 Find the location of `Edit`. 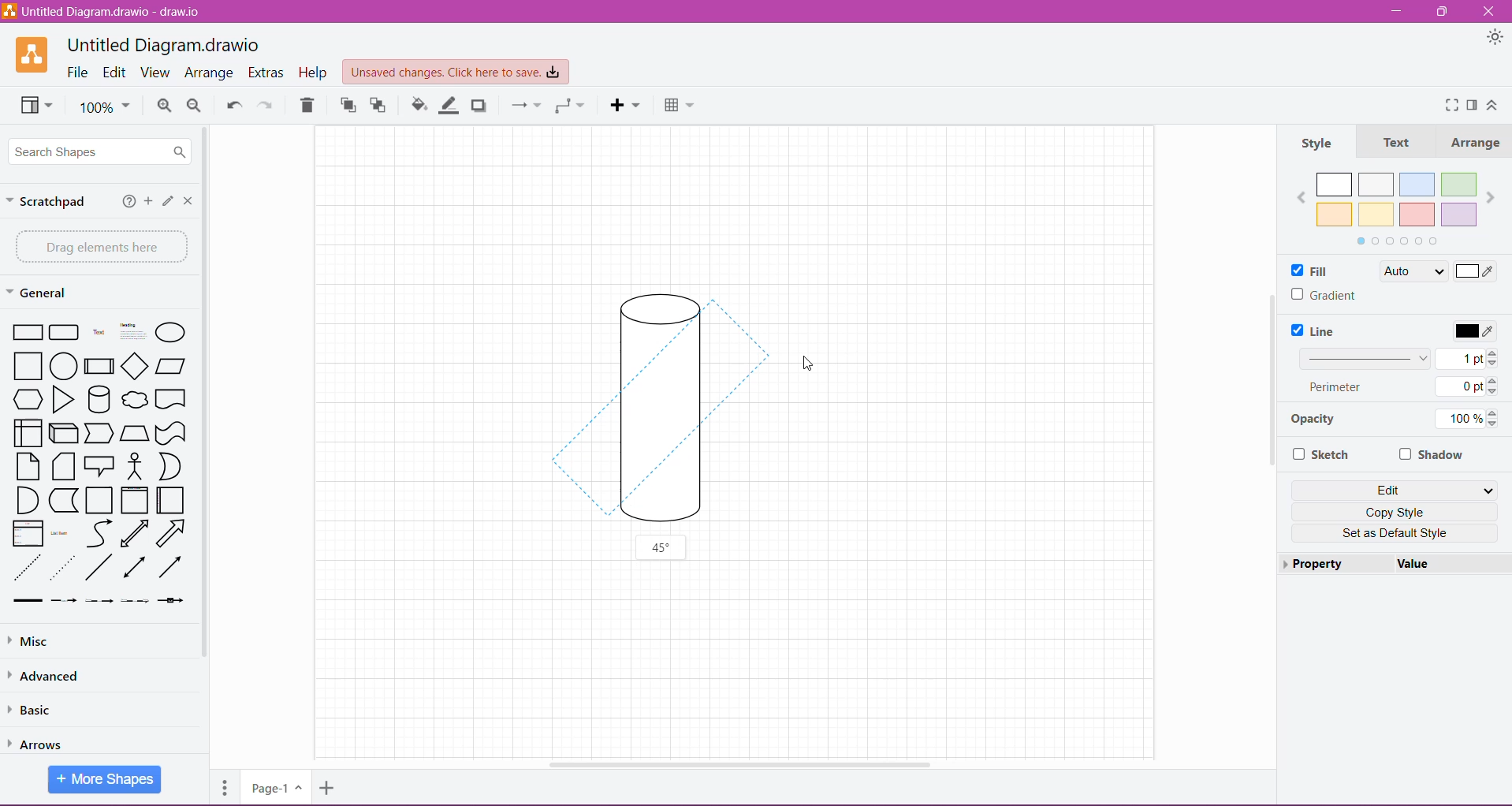

Edit is located at coordinates (1398, 489).